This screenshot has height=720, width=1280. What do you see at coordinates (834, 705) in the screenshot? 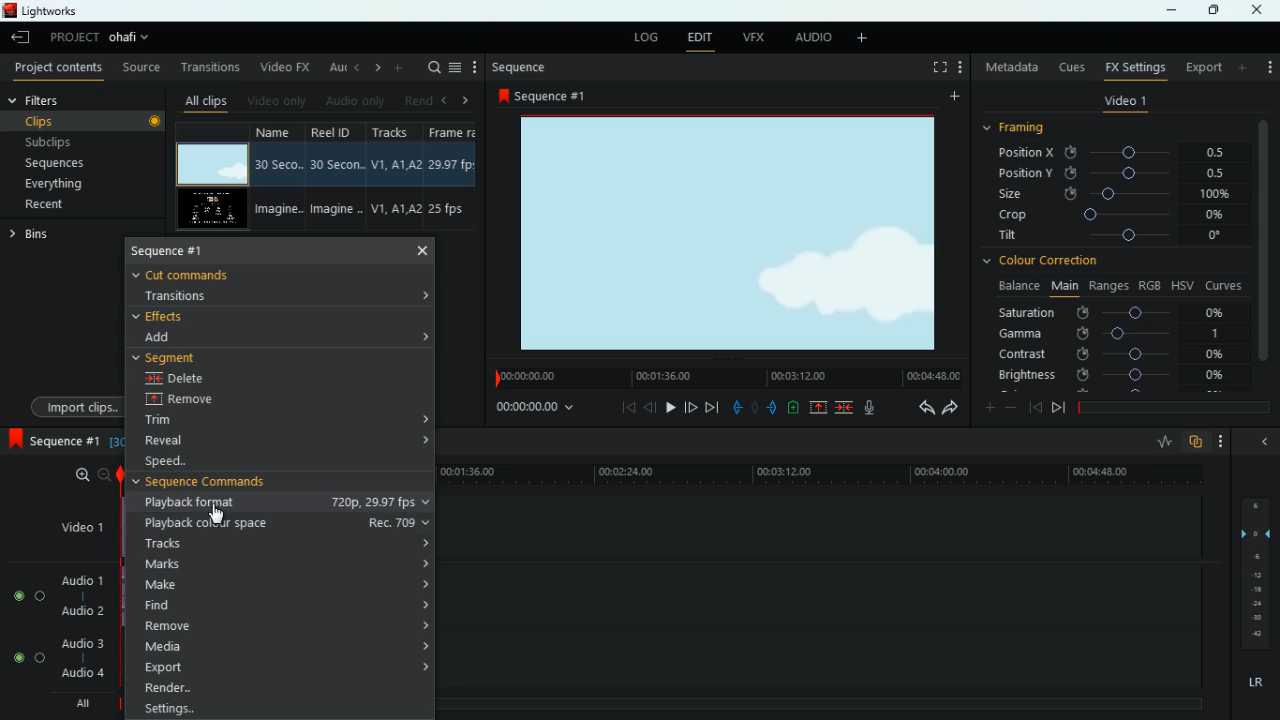
I see `timeline` at bounding box center [834, 705].